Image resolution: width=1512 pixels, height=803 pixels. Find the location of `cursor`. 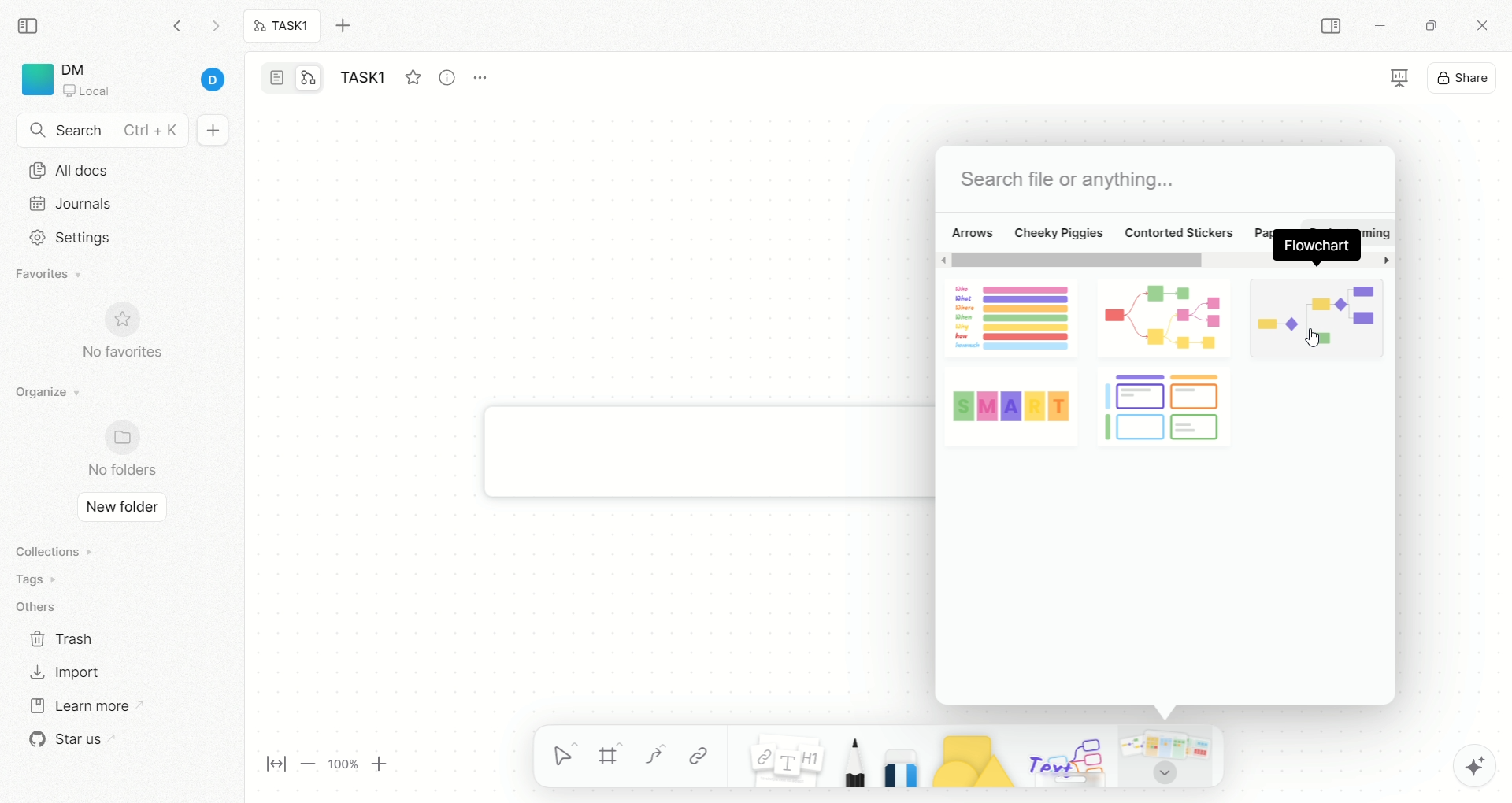

cursor is located at coordinates (1314, 340).